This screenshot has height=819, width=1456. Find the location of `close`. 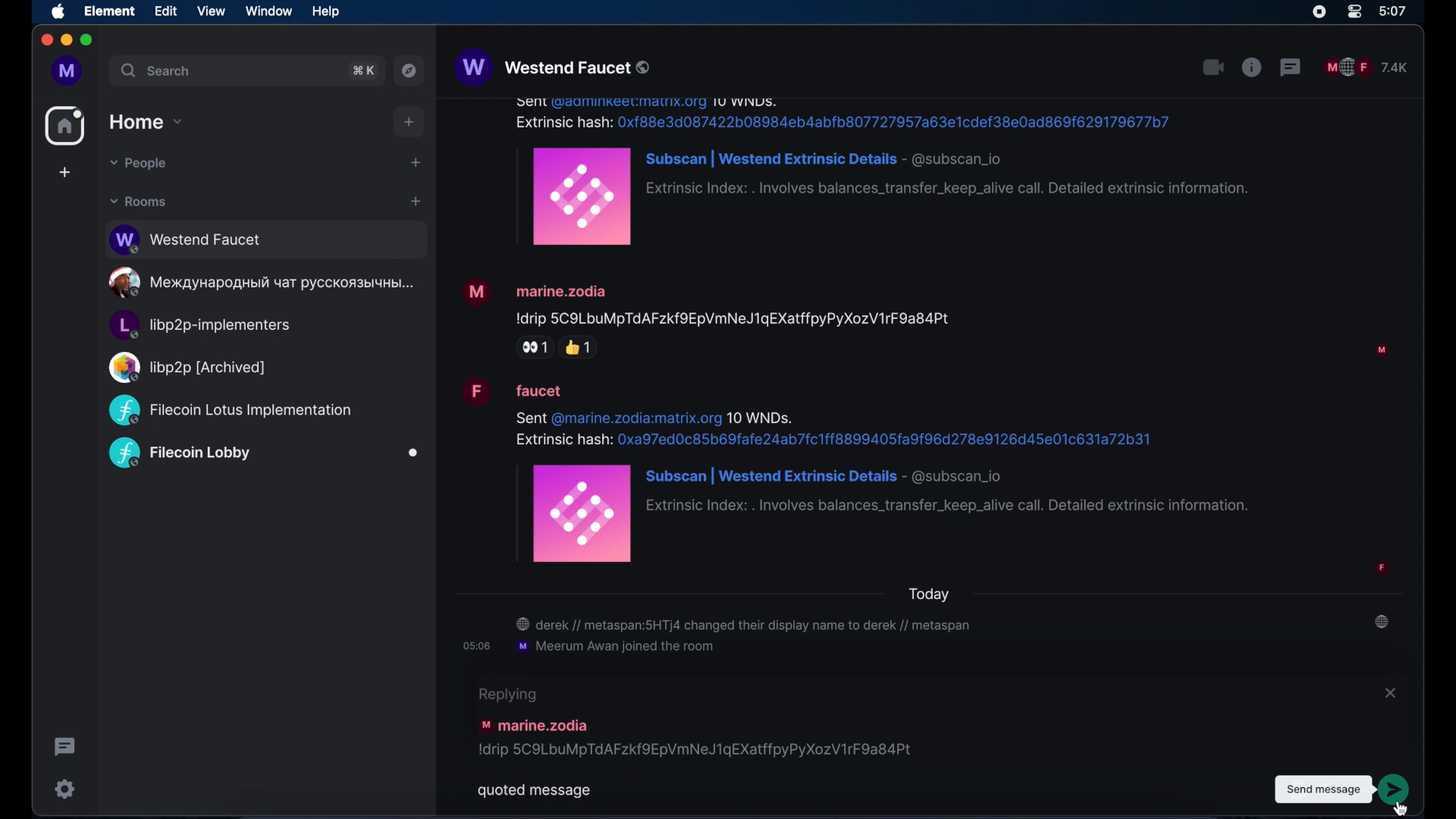

close is located at coordinates (1392, 694).